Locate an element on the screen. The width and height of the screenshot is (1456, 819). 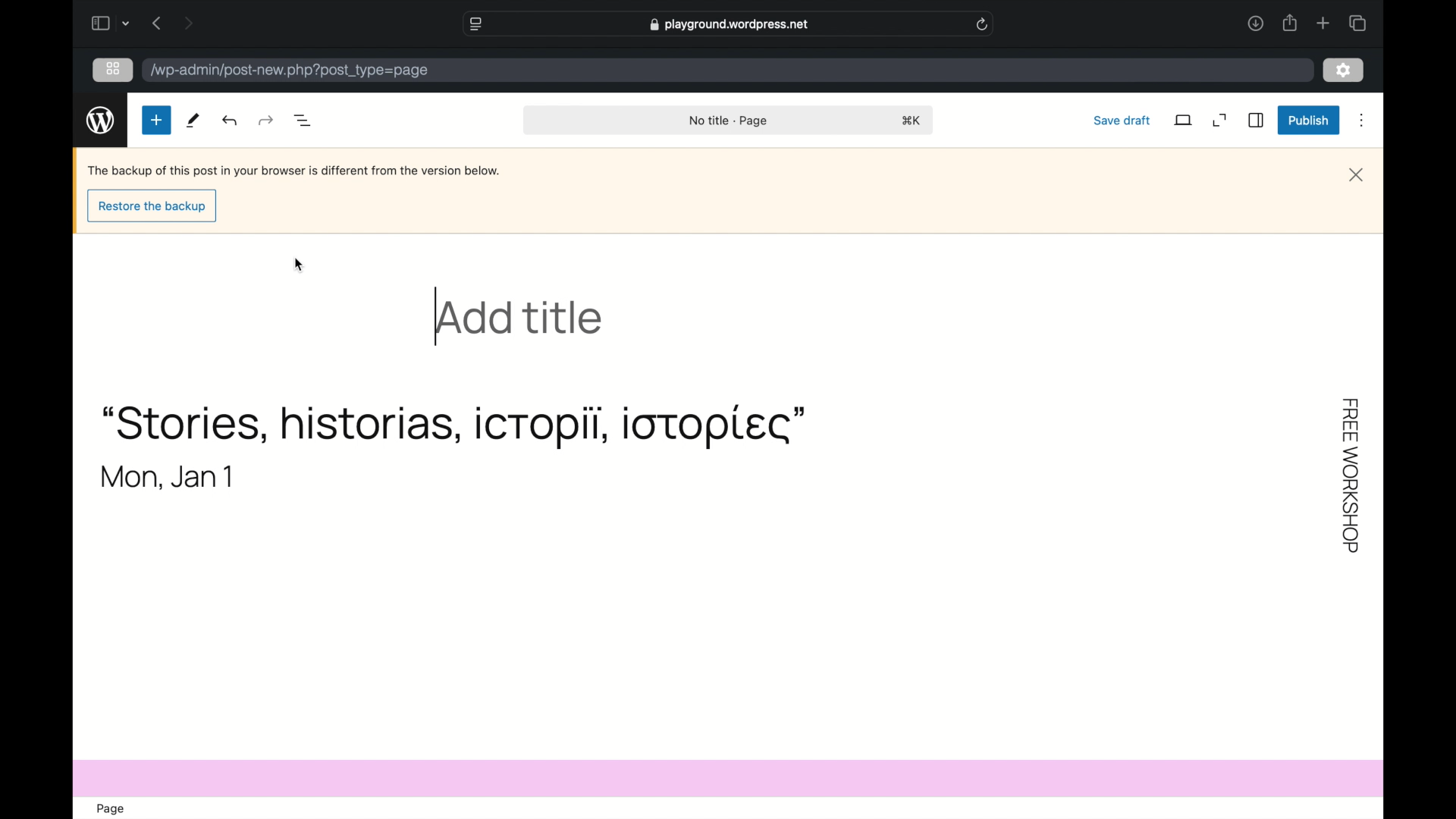
sidebar is located at coordinates (101, 24).